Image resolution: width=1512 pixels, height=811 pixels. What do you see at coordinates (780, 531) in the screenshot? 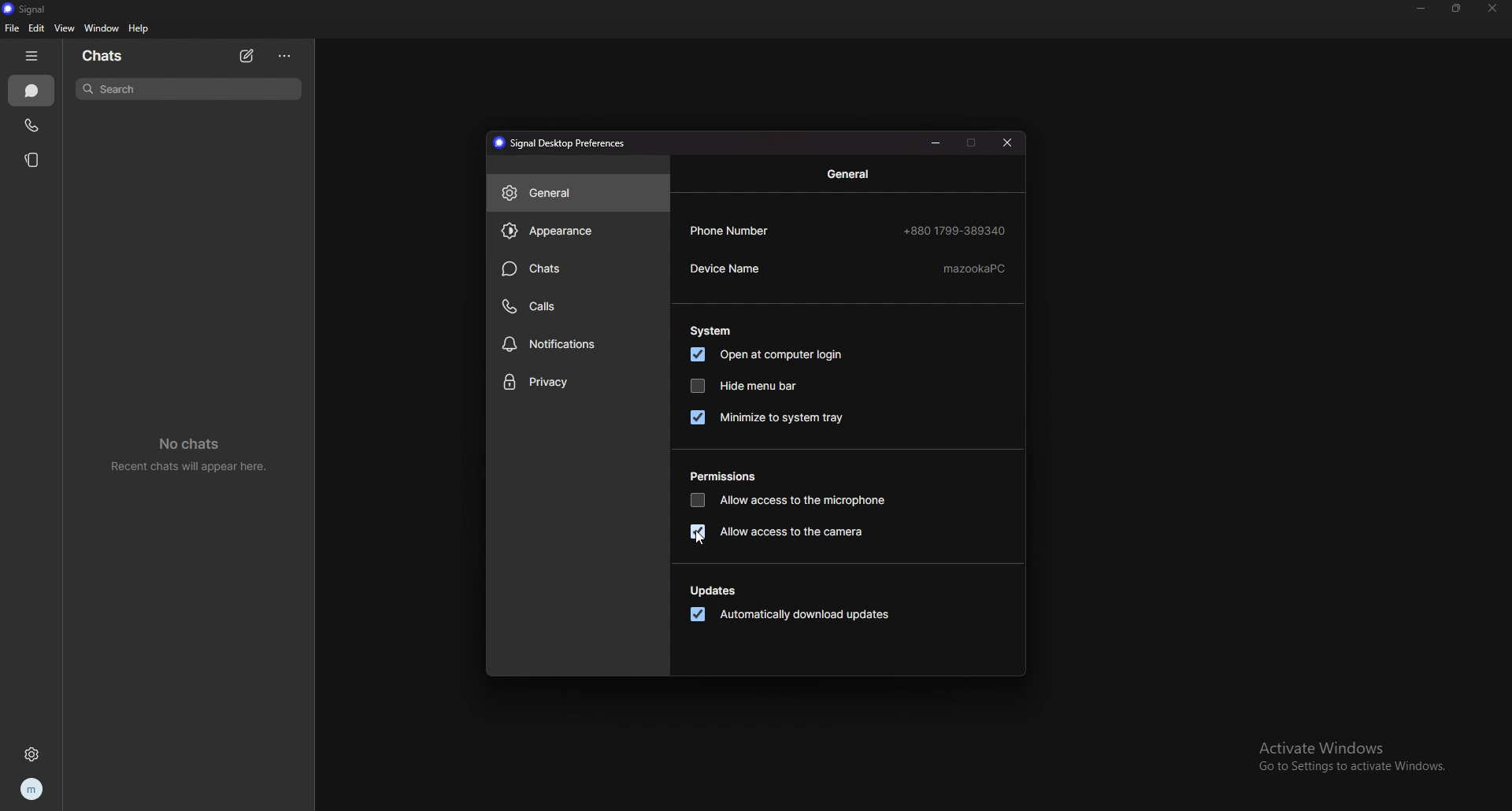
I see `allow access to camera` at bounding box center [780, 531].